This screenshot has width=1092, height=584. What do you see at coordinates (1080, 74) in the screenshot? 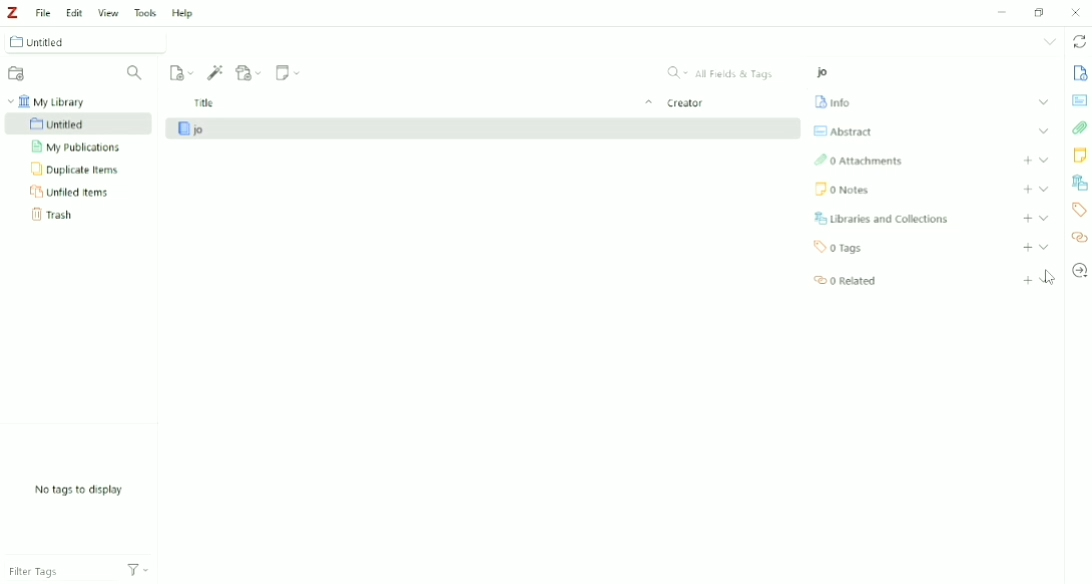
I see `Info` at bounding box center [1080, 74].